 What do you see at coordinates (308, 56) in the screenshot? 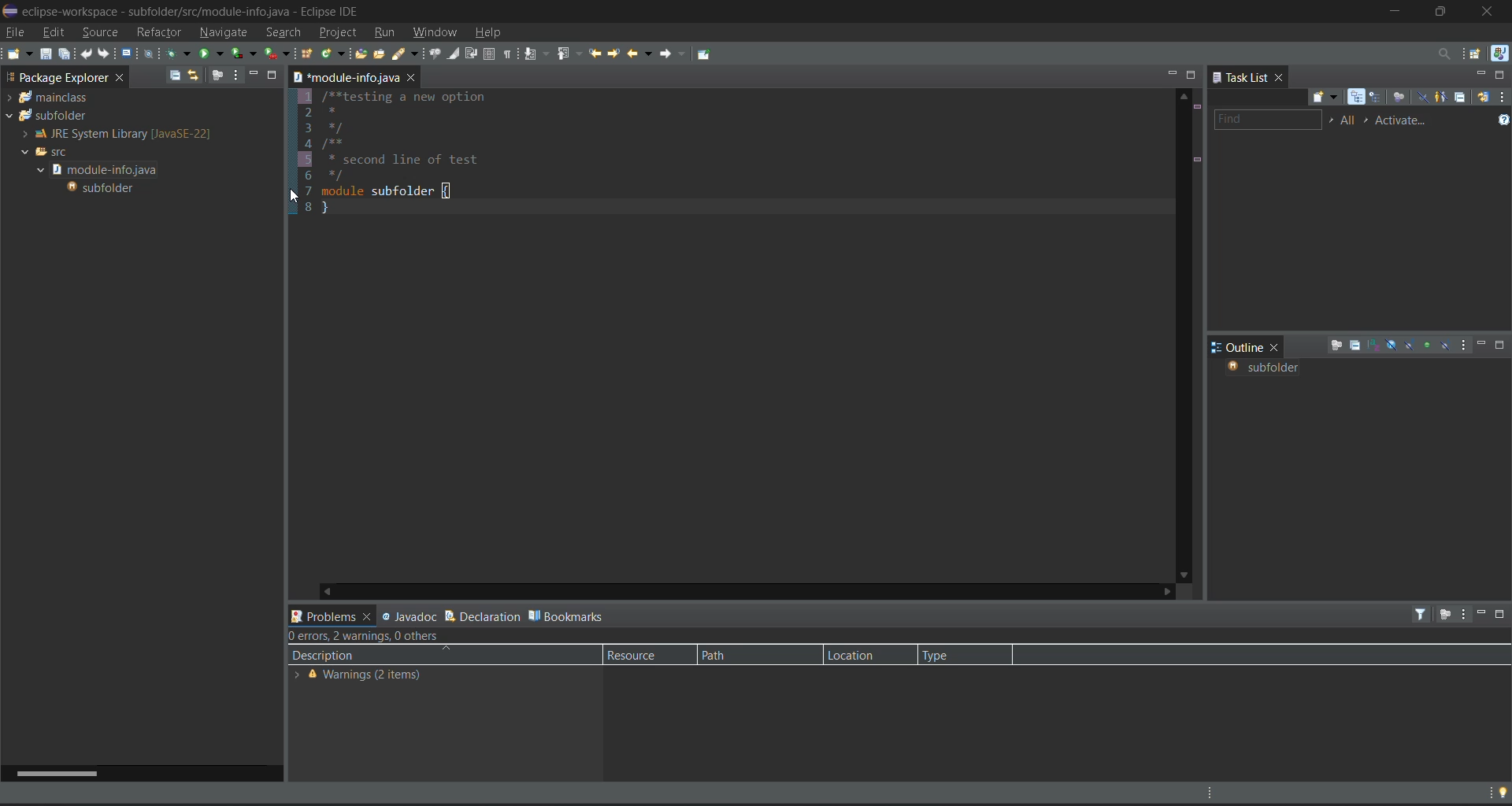
I see `new java package` at bounding box center [308, 56].